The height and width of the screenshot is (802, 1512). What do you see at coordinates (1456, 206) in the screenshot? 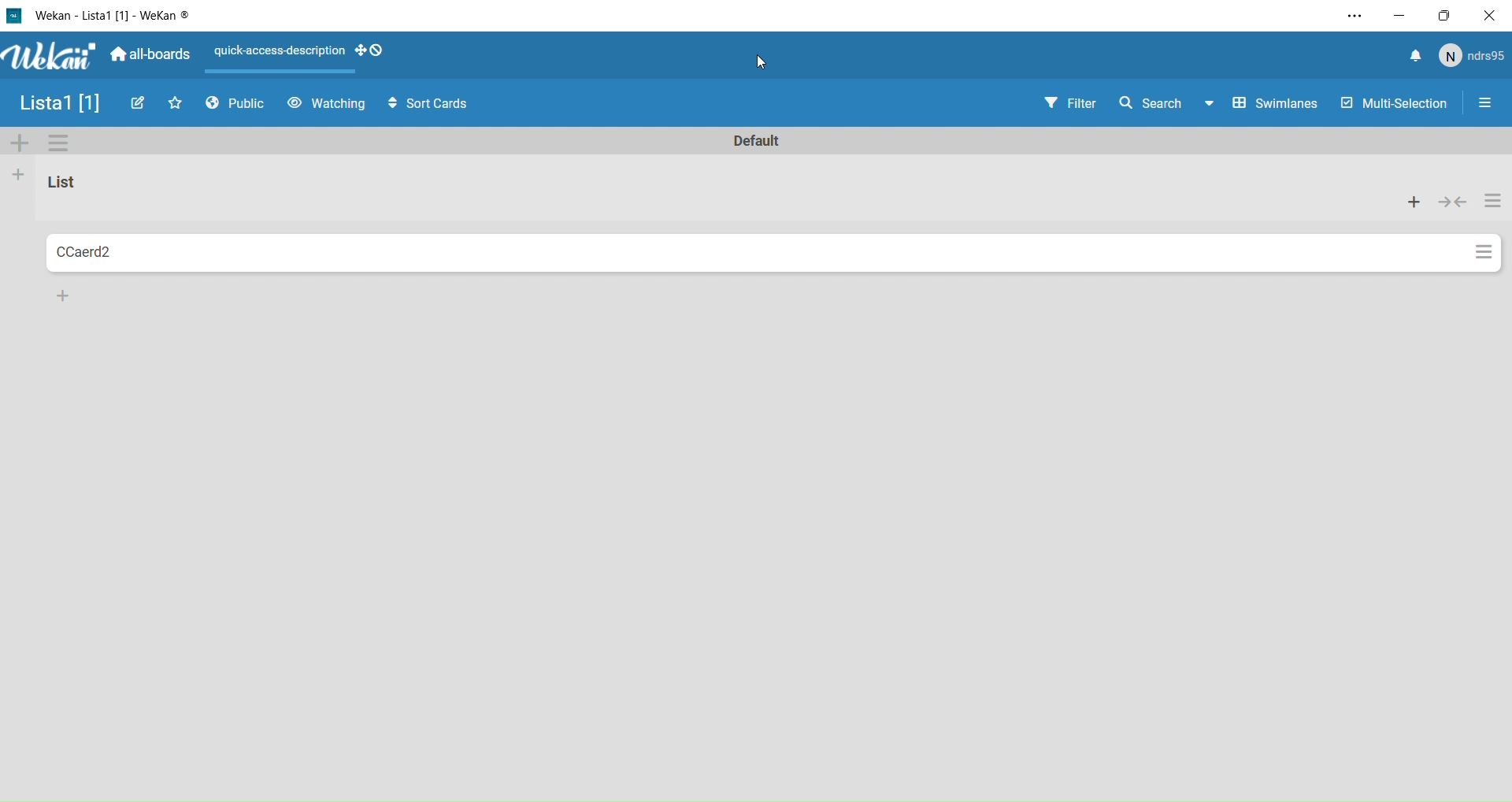
I see `collapse` at bounding box center [1456, 206].